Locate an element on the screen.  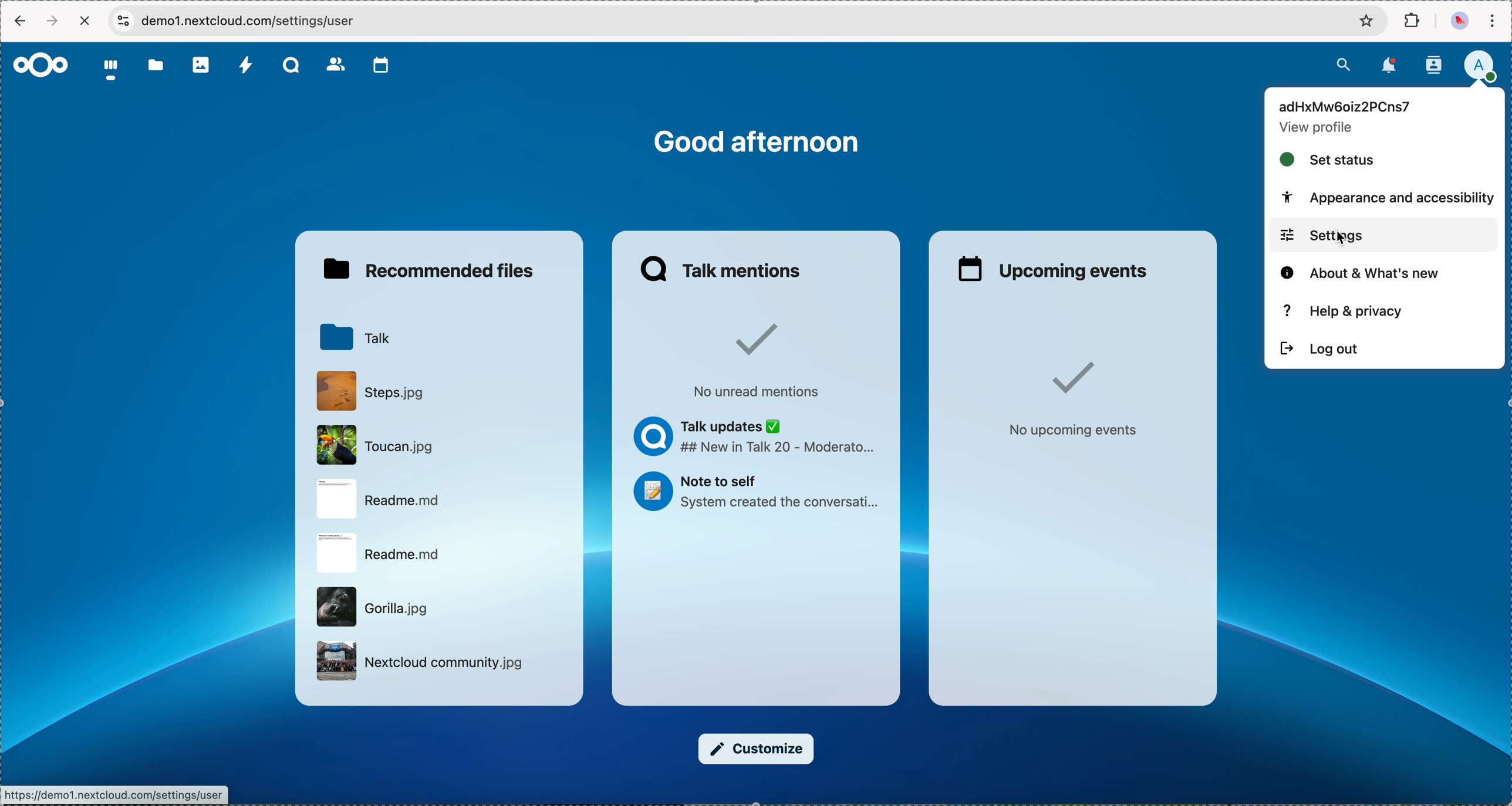
recommended files is located at coordinates (432, 270).